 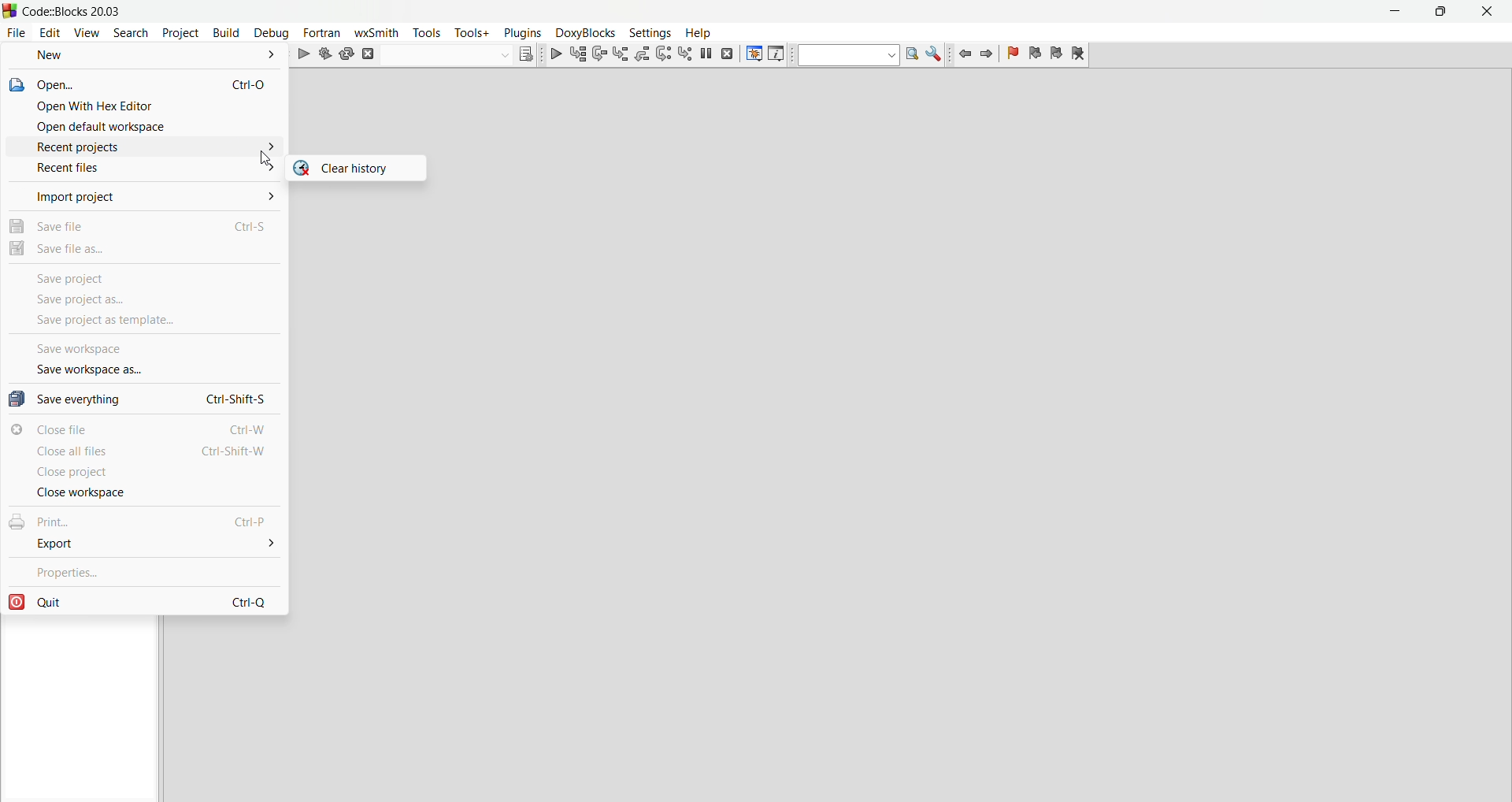 I want to click on various info, so click(x=776, y=54).